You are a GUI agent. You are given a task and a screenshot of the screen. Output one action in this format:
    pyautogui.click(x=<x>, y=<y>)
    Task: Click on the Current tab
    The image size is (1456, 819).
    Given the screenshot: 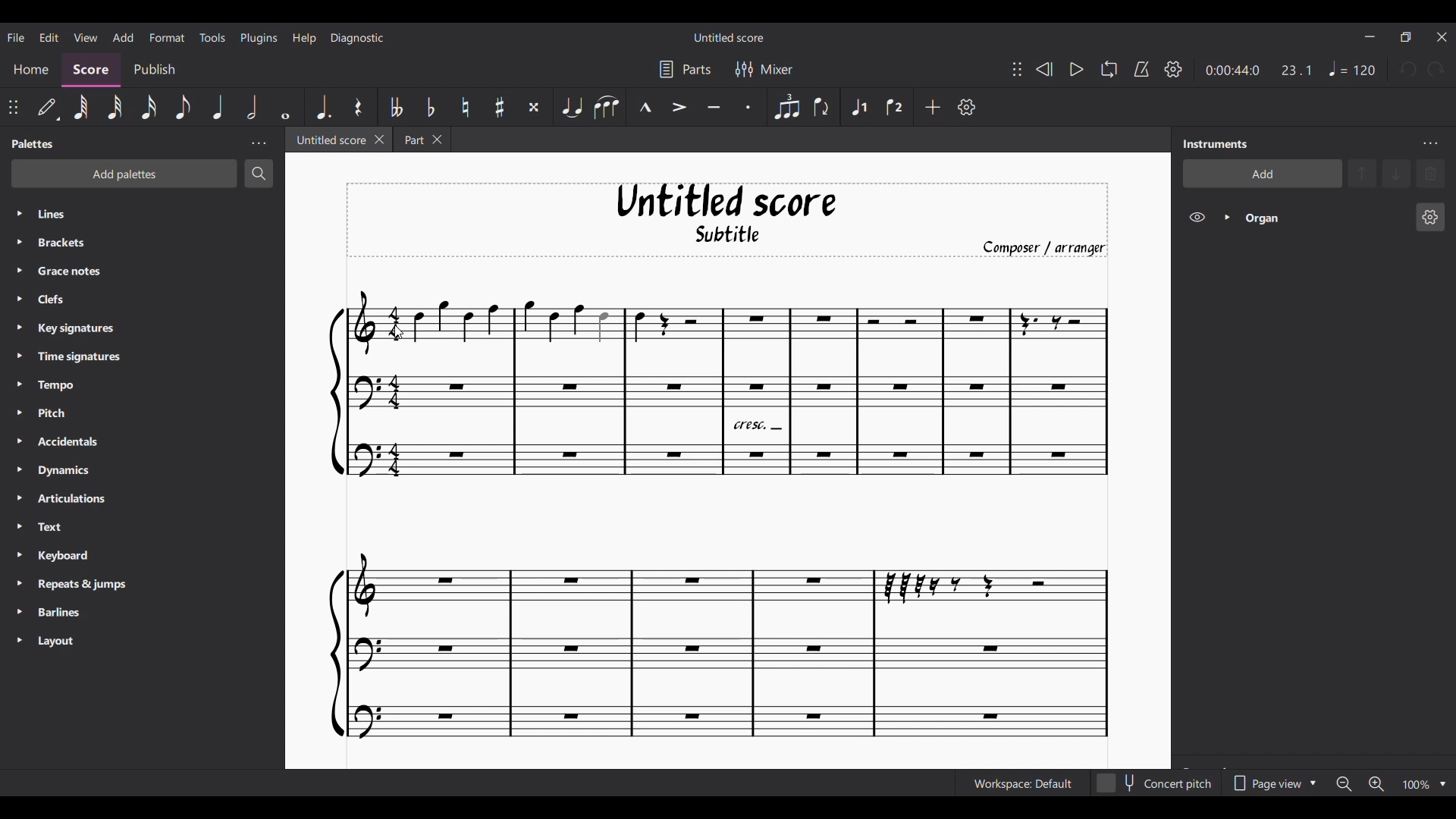 What is the action you would take?
    pyautogui.click(x=329, y=139)
    